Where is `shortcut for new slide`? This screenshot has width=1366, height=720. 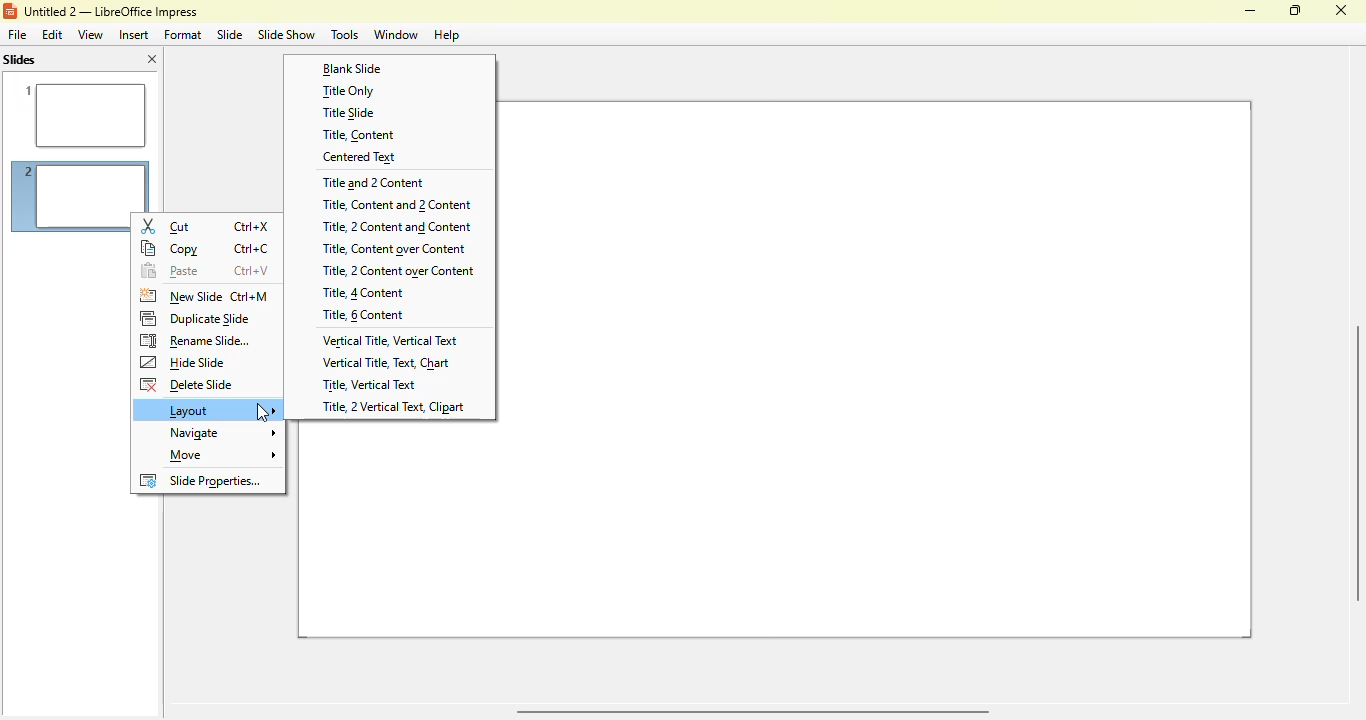 shortcut for new slide is located at coordinates (251, 296).